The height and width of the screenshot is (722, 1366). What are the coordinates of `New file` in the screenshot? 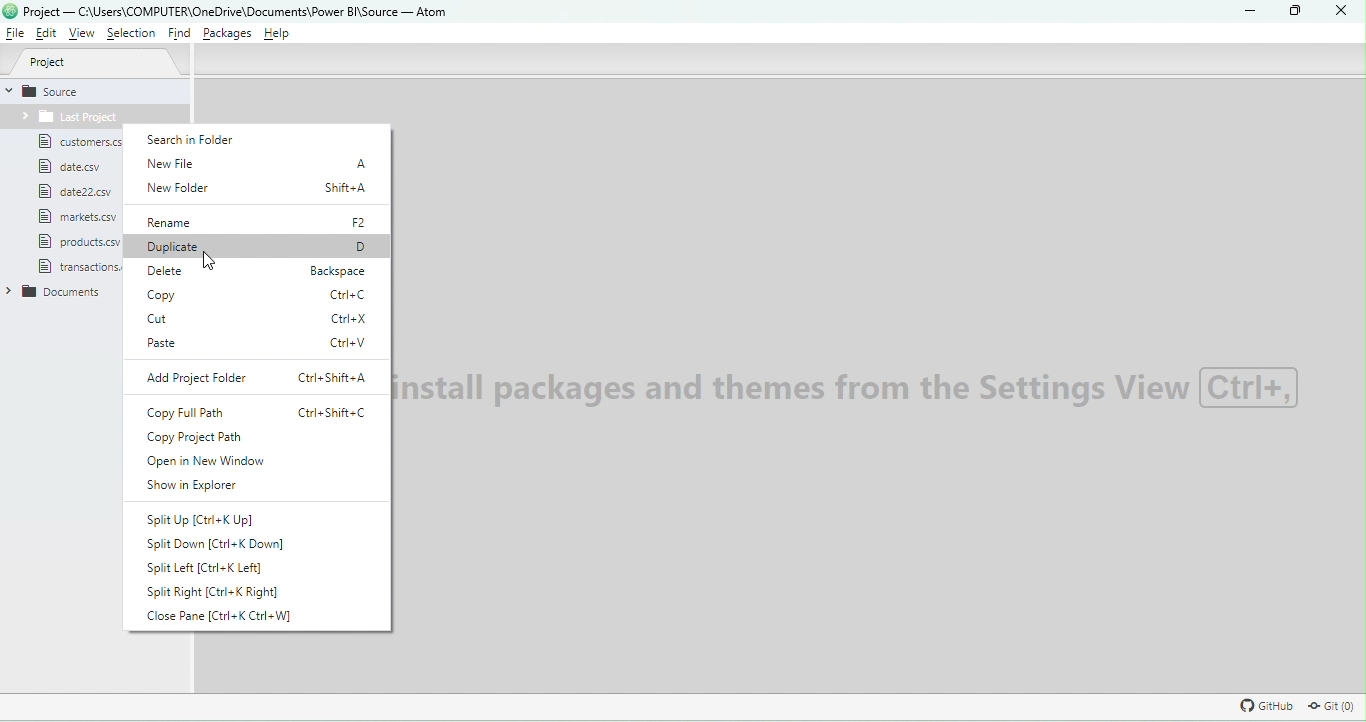 It's located at (261, 164).